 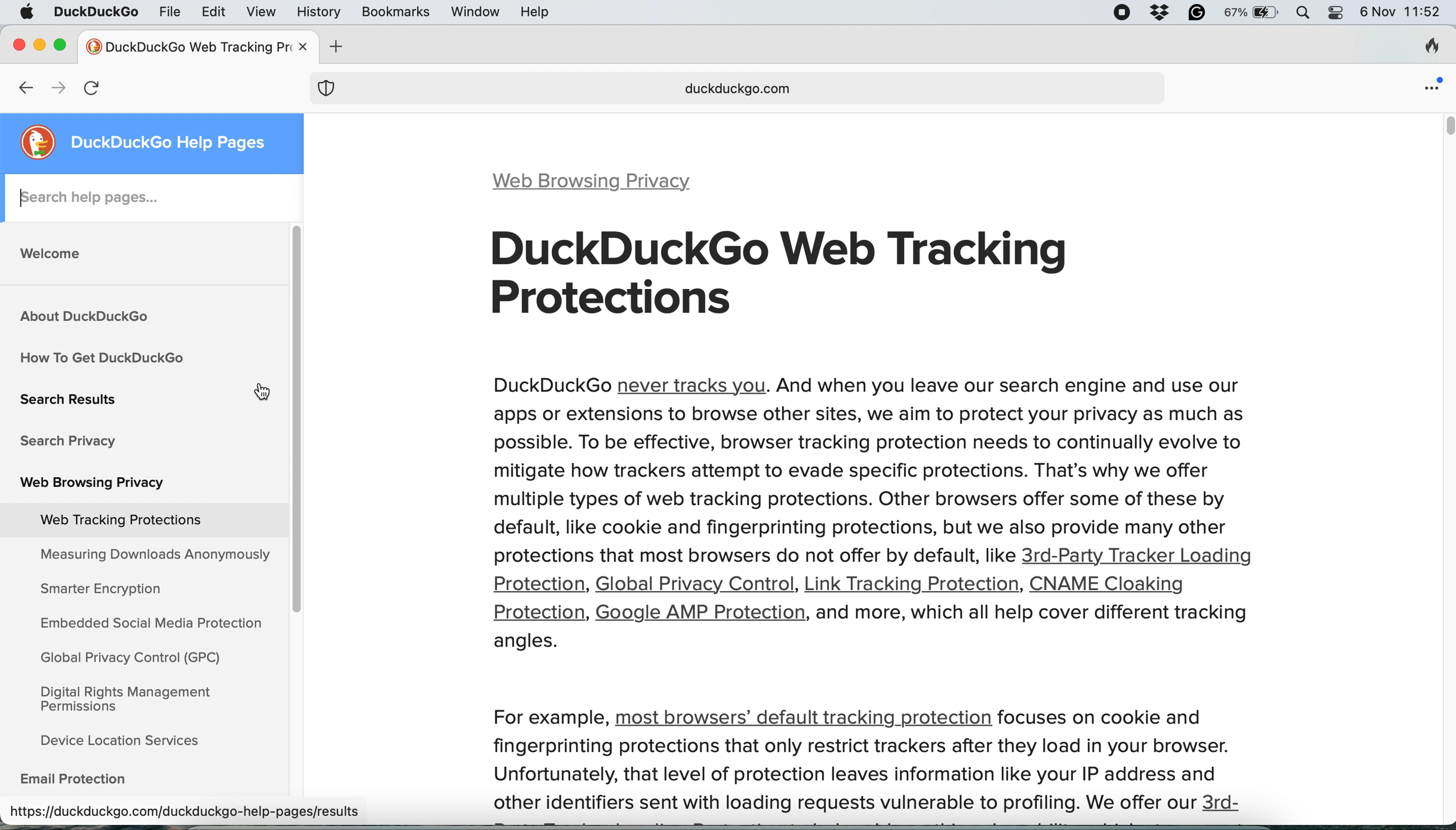 What do you see at coordinates (871, 456) in the screenshot?
I see `DuckDuckGo never tracks you.` at bounding box center [871, 456].